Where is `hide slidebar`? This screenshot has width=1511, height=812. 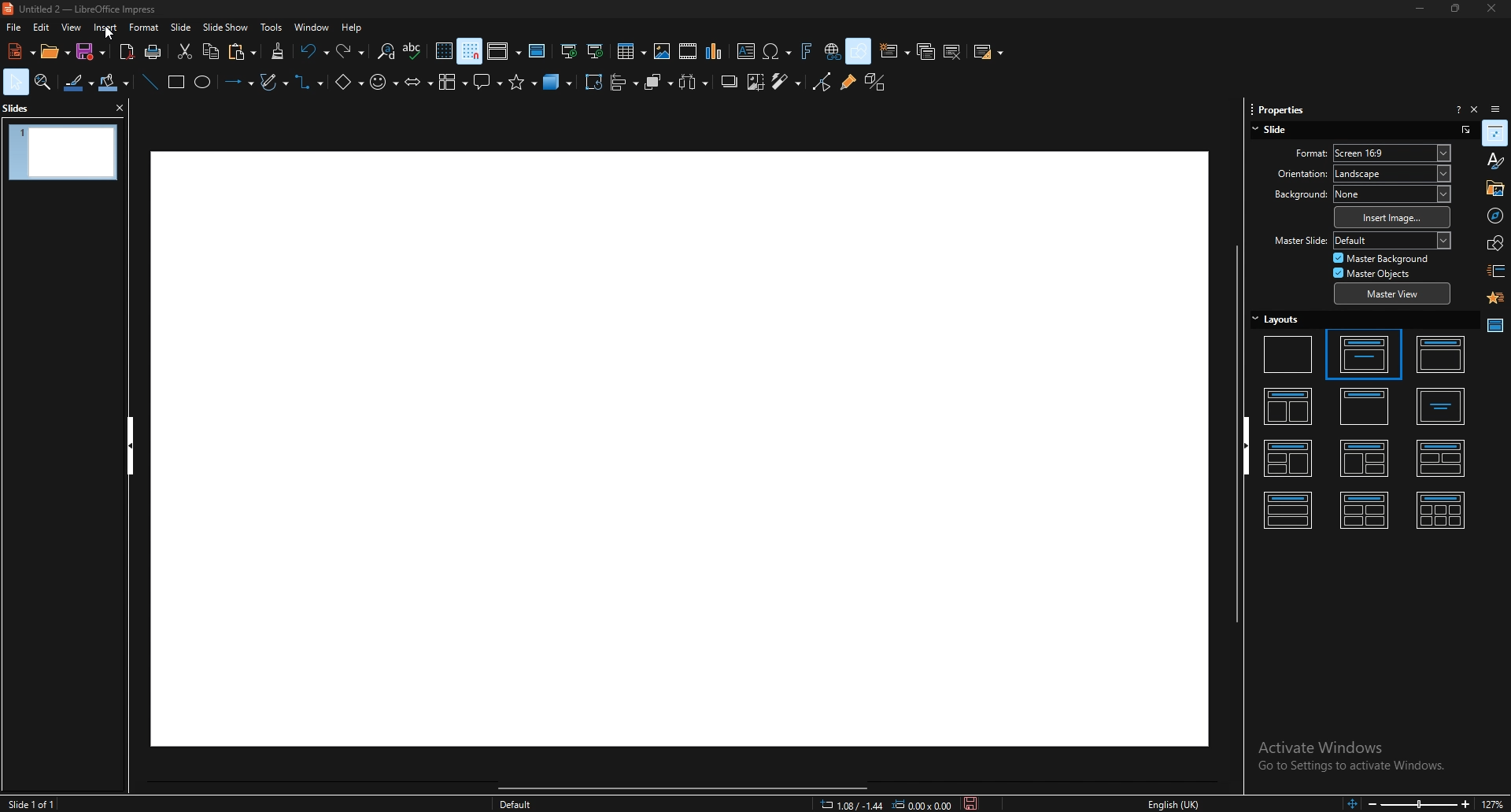 hide slidebar is located at coordinates (1252, 447).